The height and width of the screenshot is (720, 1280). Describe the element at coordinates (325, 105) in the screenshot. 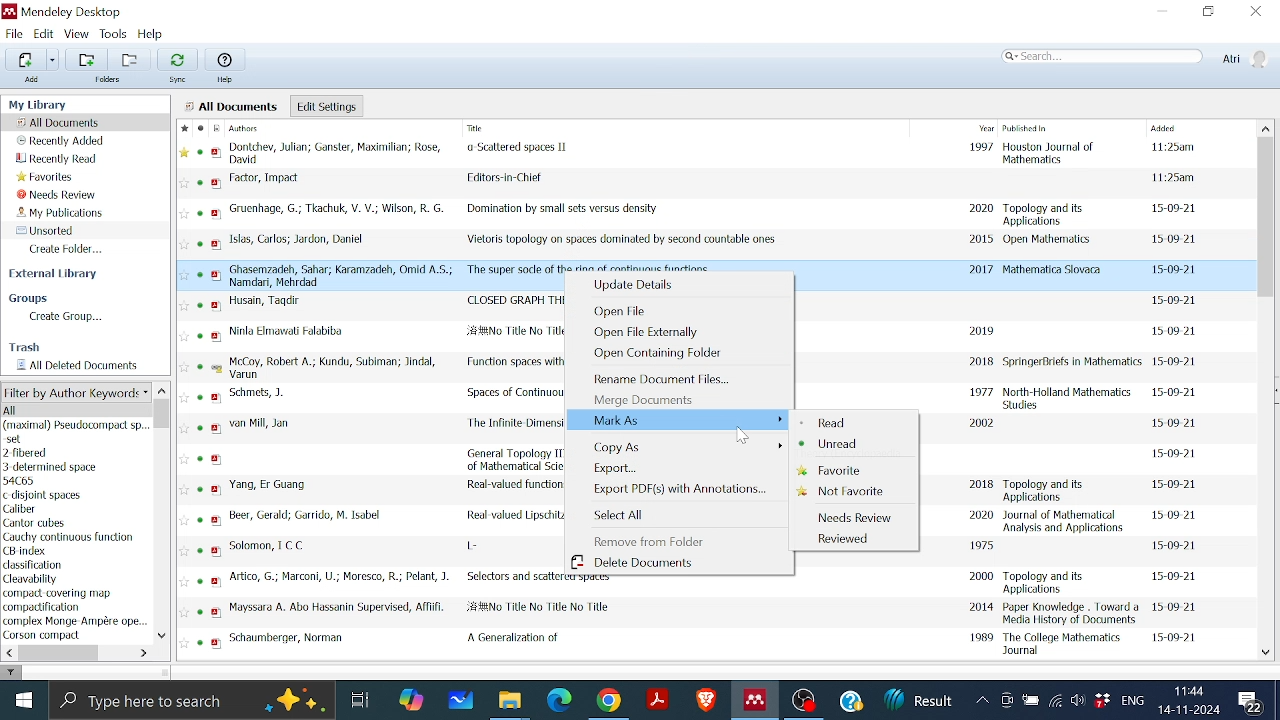

I see `Edit settings` at that location.